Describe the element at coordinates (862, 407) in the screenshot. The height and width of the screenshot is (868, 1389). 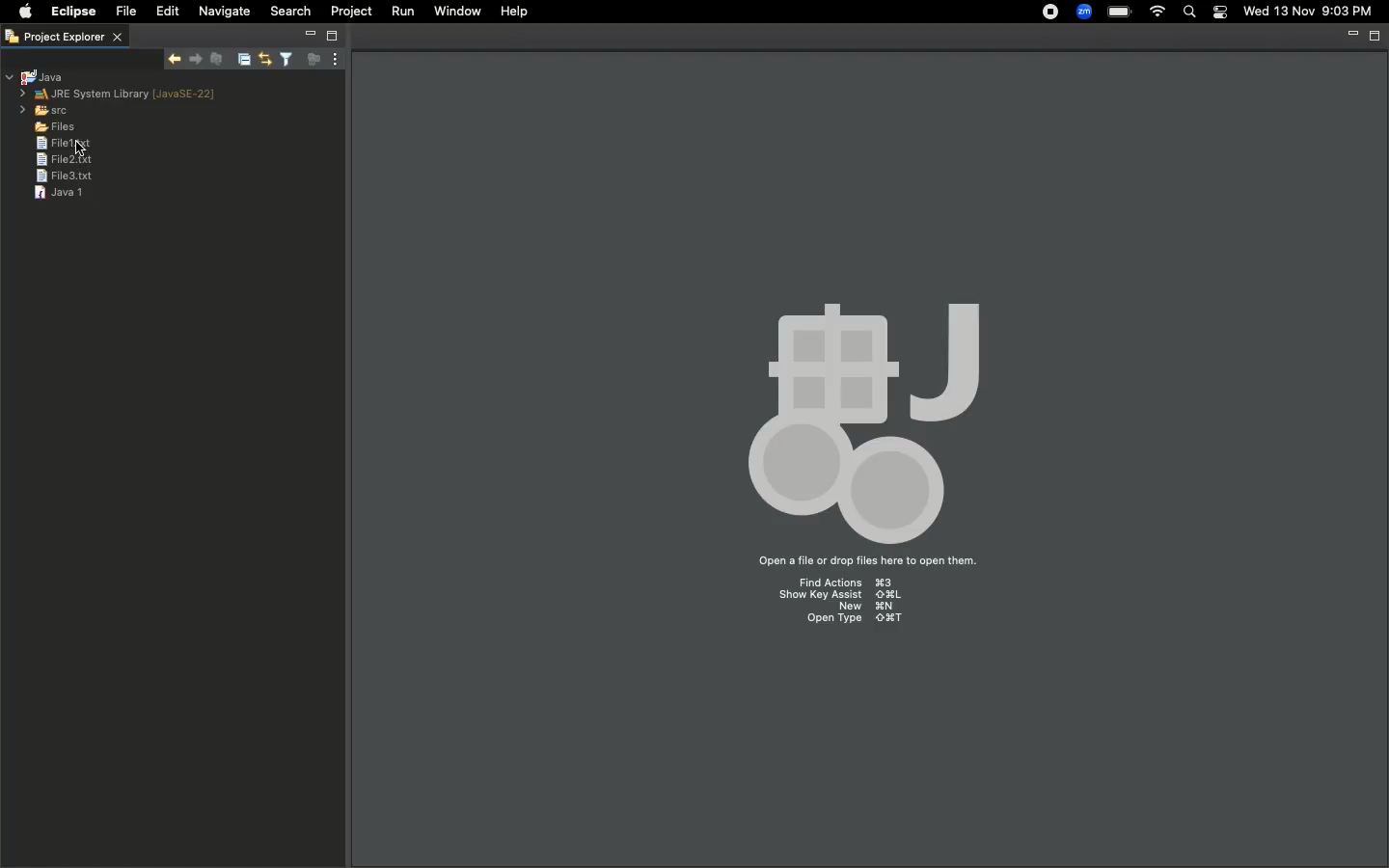
I see `Icon` at that location.